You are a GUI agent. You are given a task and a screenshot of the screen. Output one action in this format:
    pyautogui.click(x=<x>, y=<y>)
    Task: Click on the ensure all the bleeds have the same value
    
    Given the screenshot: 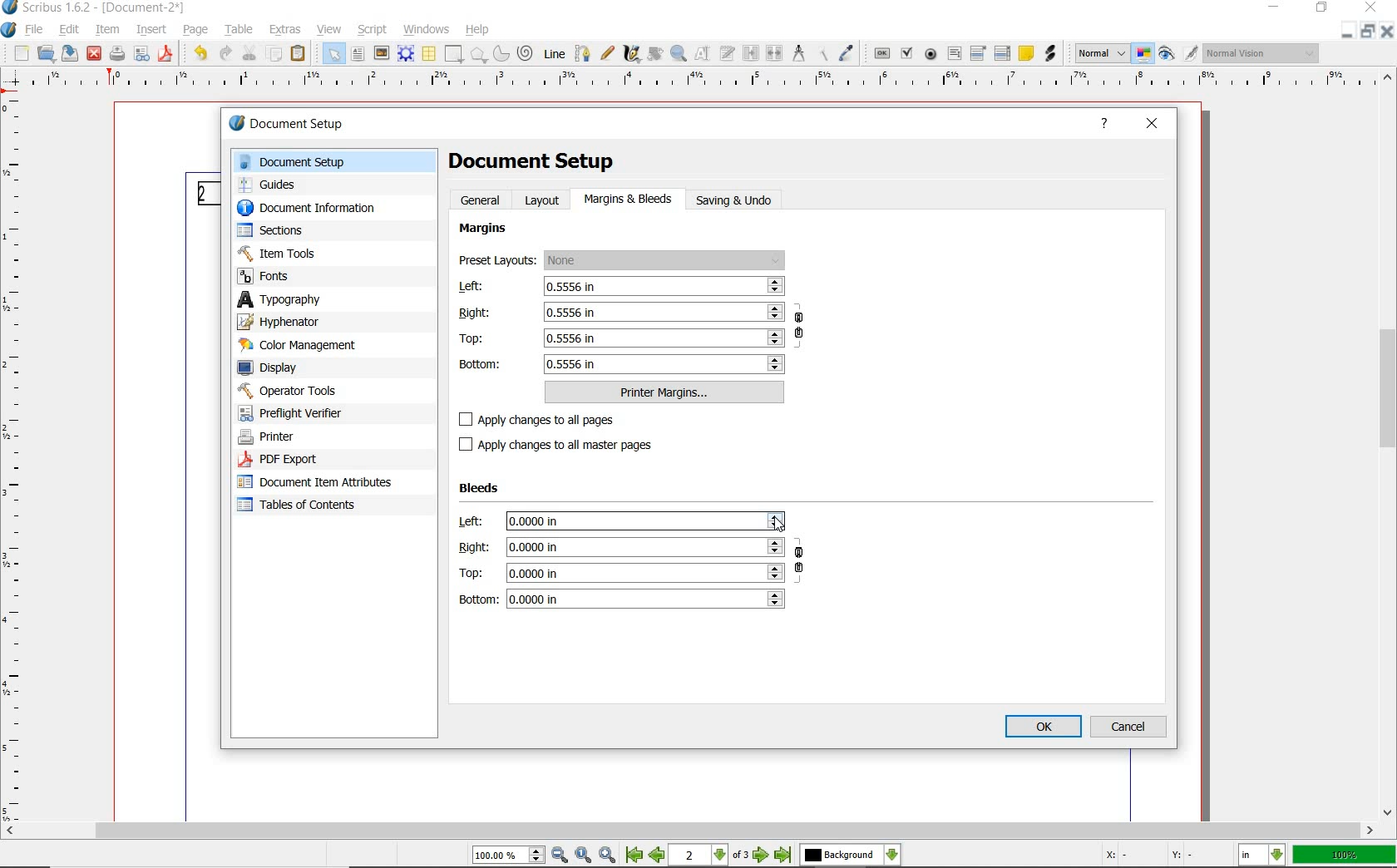 What is the action you would take?
    pyautogui.click(x=800, y=565)
    